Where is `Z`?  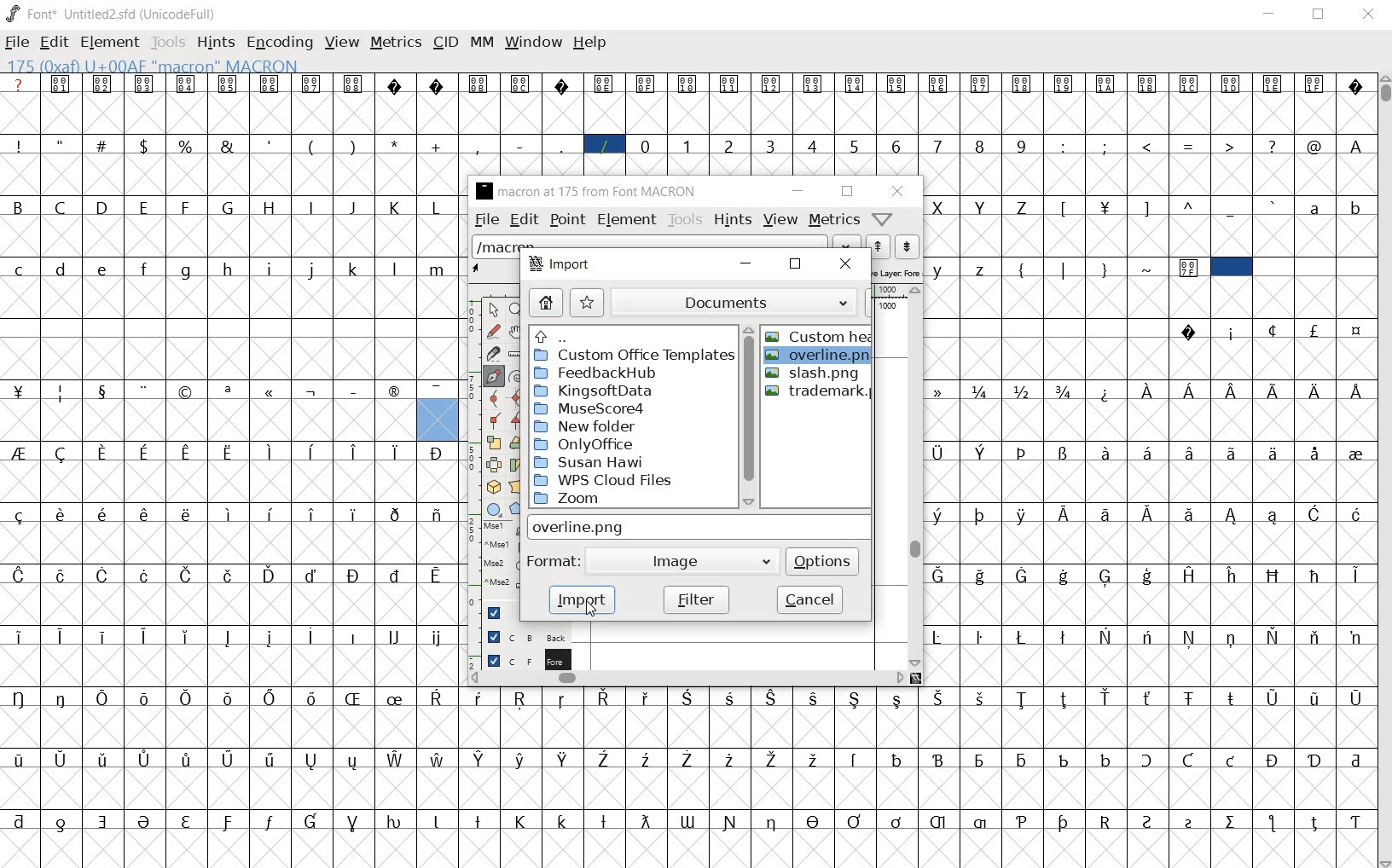 Z is located at coordinates (1024, 206).